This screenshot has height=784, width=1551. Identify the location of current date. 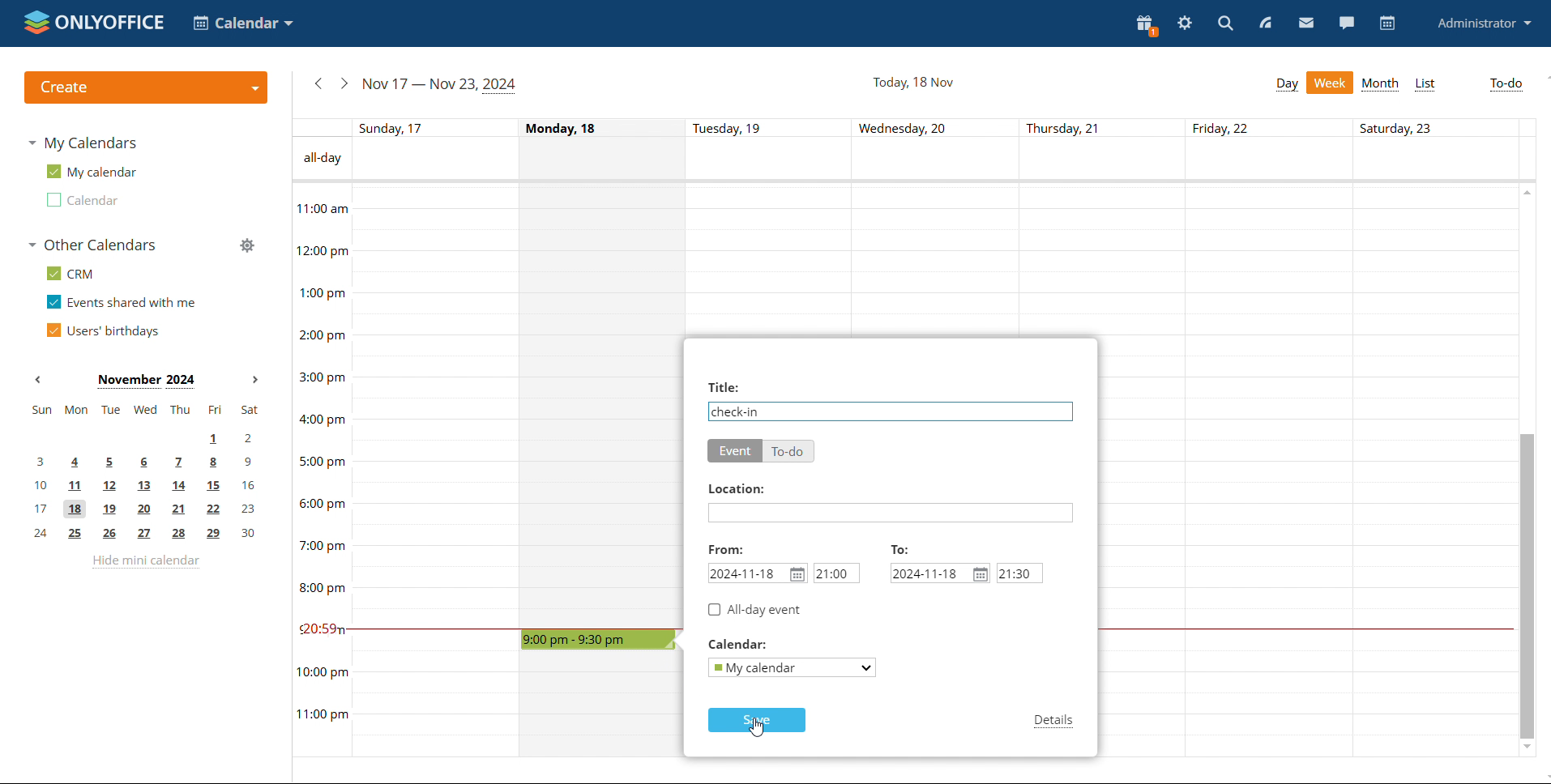
(914, 83).